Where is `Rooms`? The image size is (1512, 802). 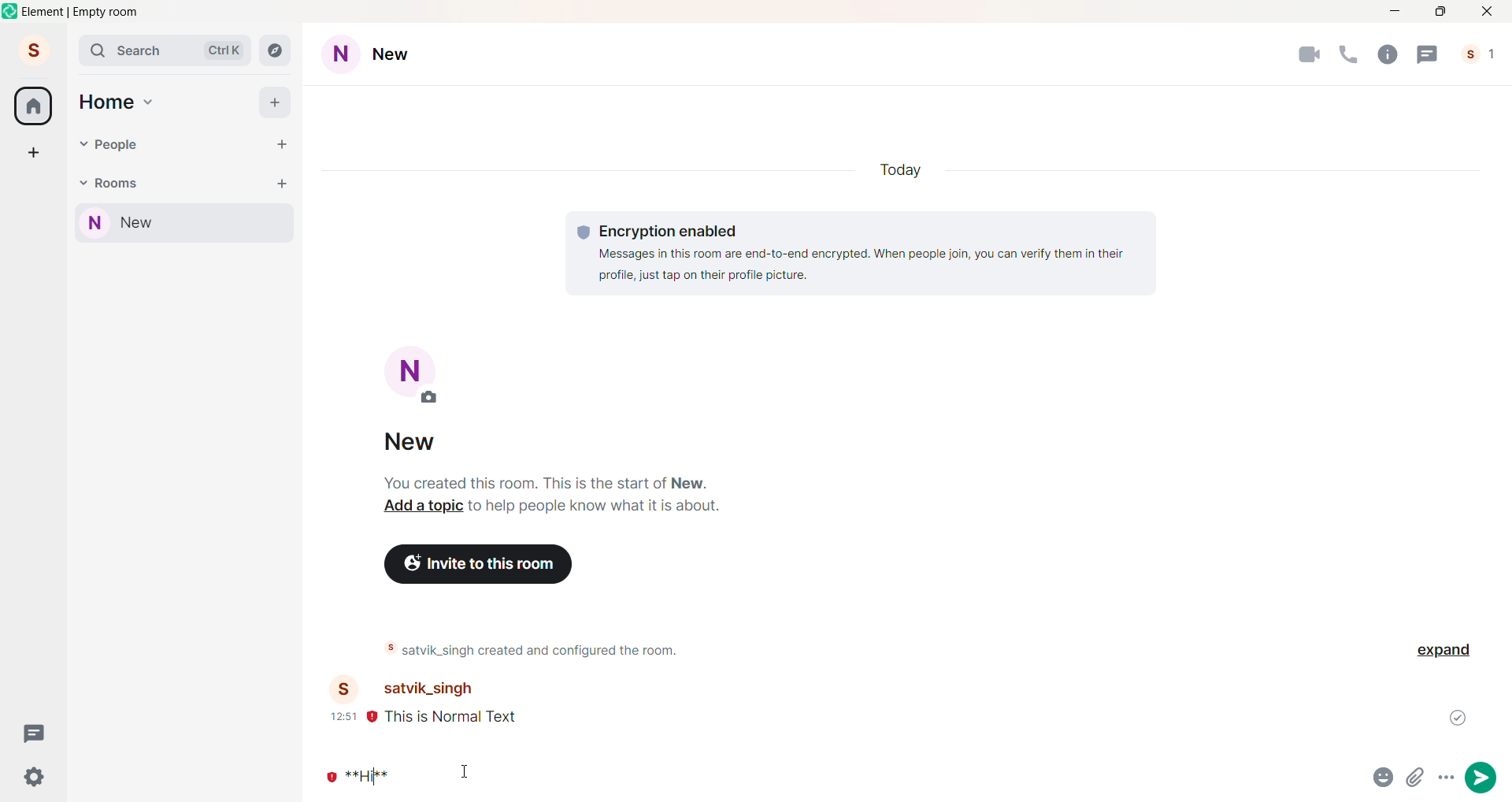
Rooms is located at coordinates (119, 182).